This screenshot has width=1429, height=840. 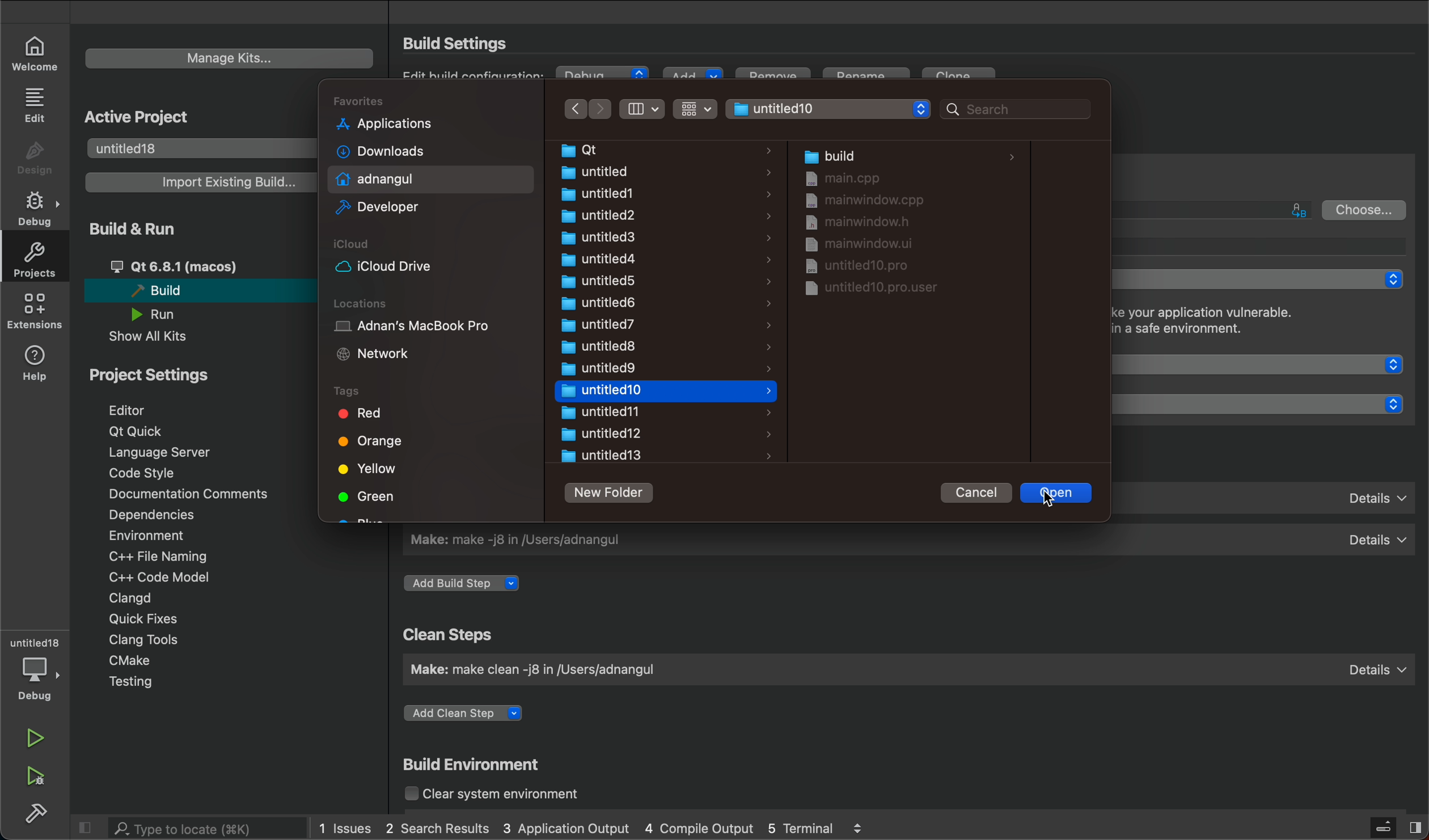 What do you see at coordinates (340, 826) in the screenshot?
I see `1 Issues` at bounding box center [340, 826].